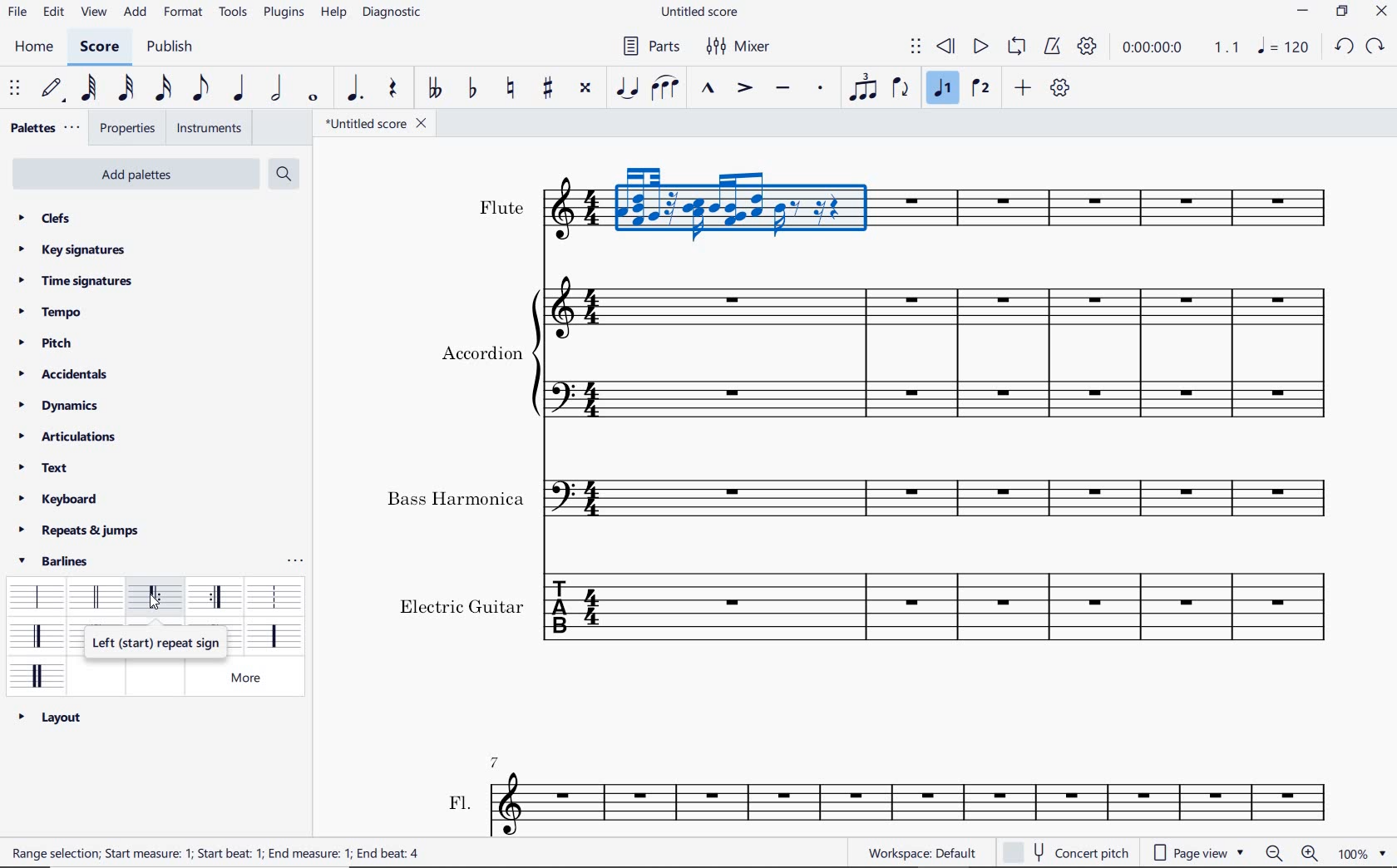 This screenshot has height=868, width=1397. Describe the element at coordinates (980, 90) in the screenshot. I see `voice 2` at that location.